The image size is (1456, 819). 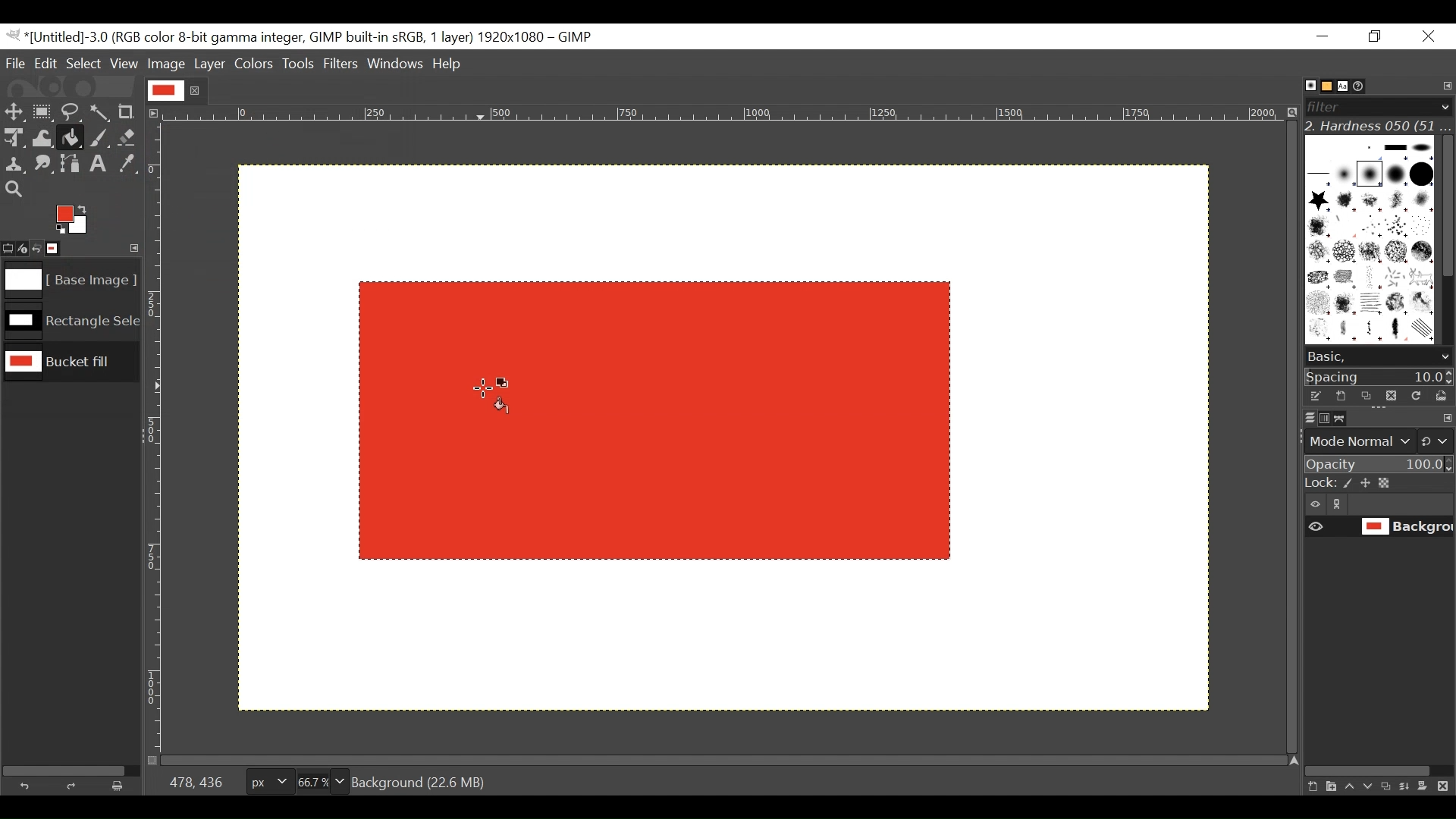 What do you see at coordinates (37, 248) in the screenshot?
I see `Undo last action` at bounding box center [37, 248].